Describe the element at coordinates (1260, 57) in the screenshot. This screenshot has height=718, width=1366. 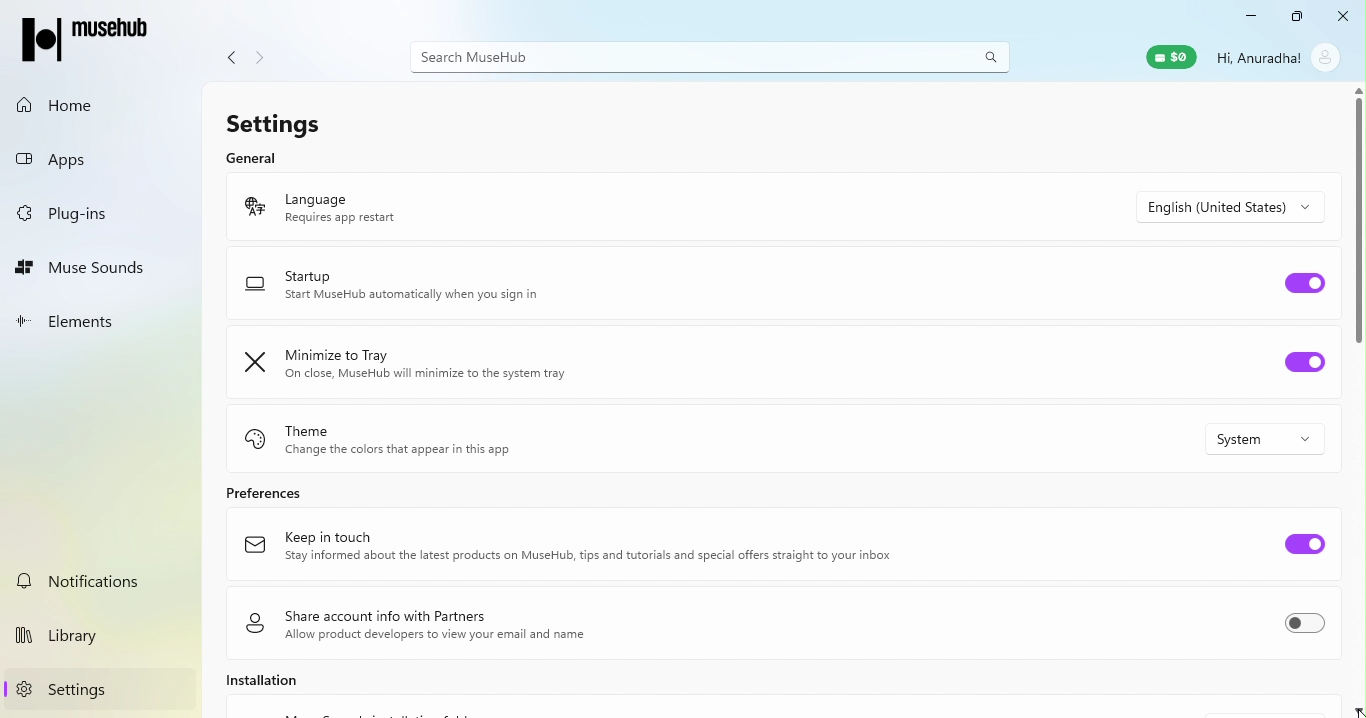
I see `Hi, Anuradha!` at that location.